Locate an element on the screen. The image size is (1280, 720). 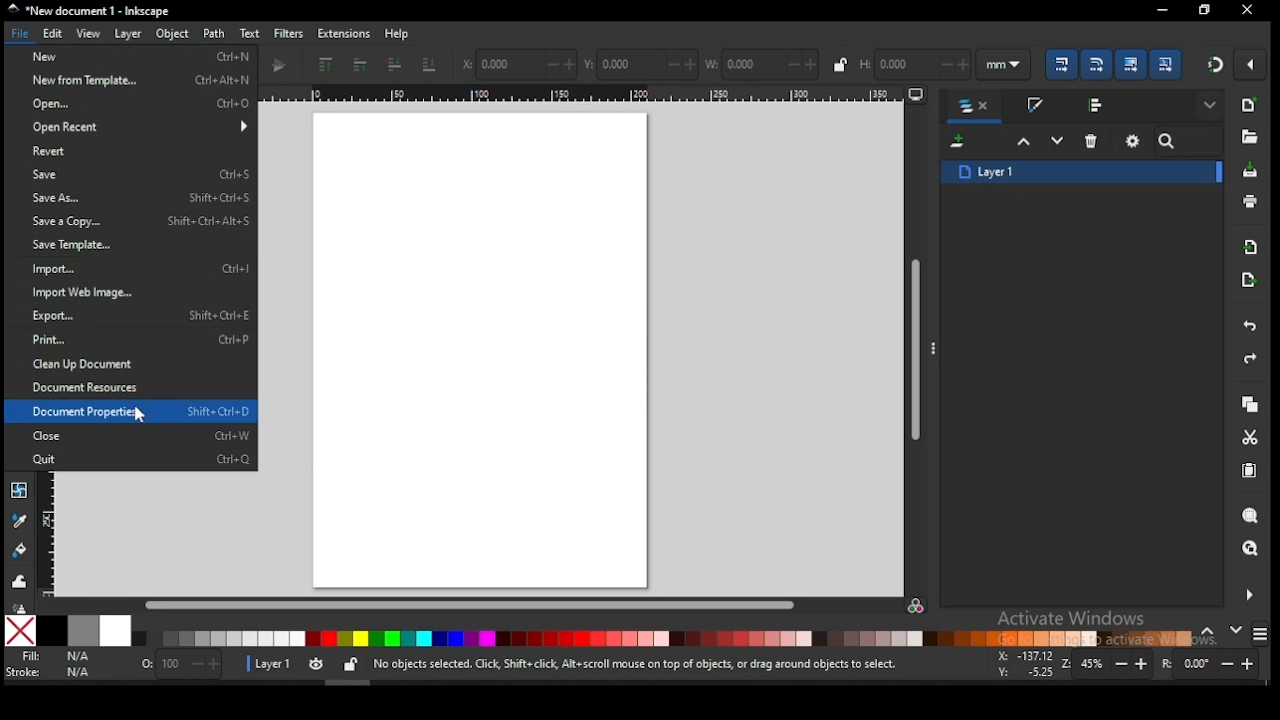
icon and filename is located at coordinates (90, 11).